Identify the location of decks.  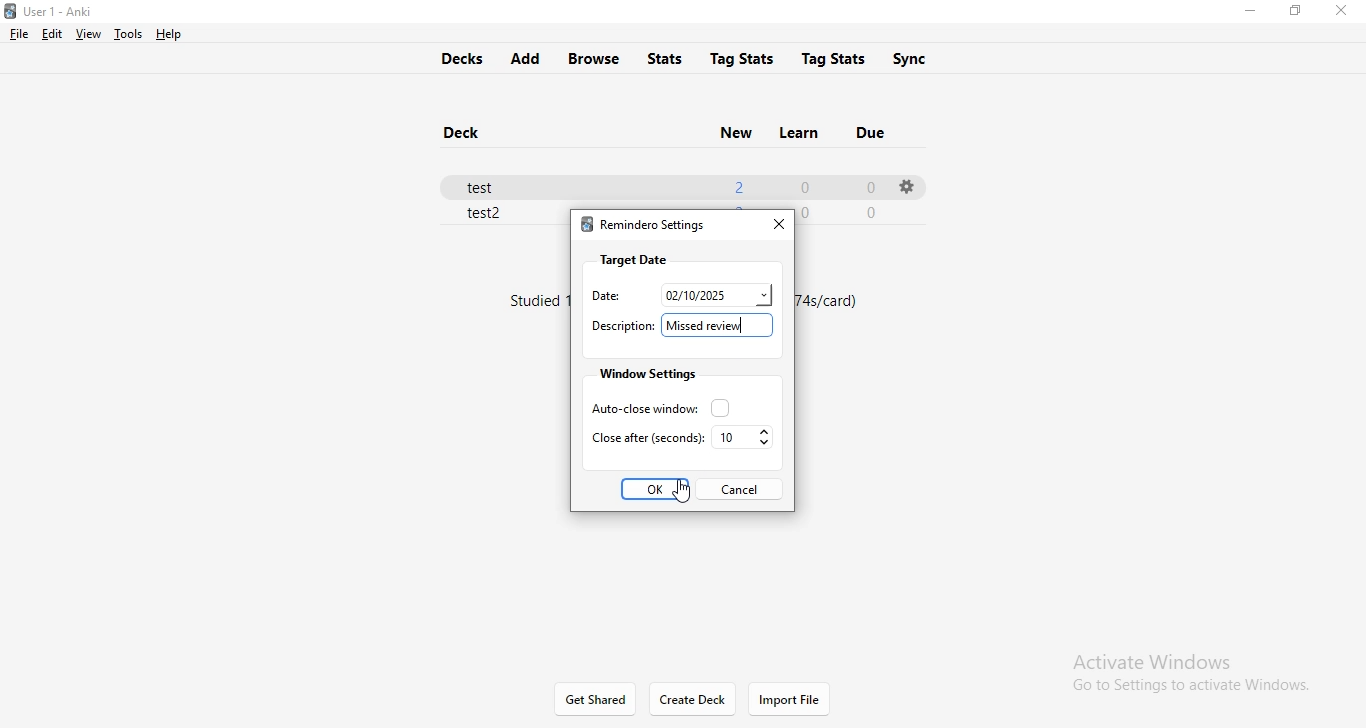
(457, 56).